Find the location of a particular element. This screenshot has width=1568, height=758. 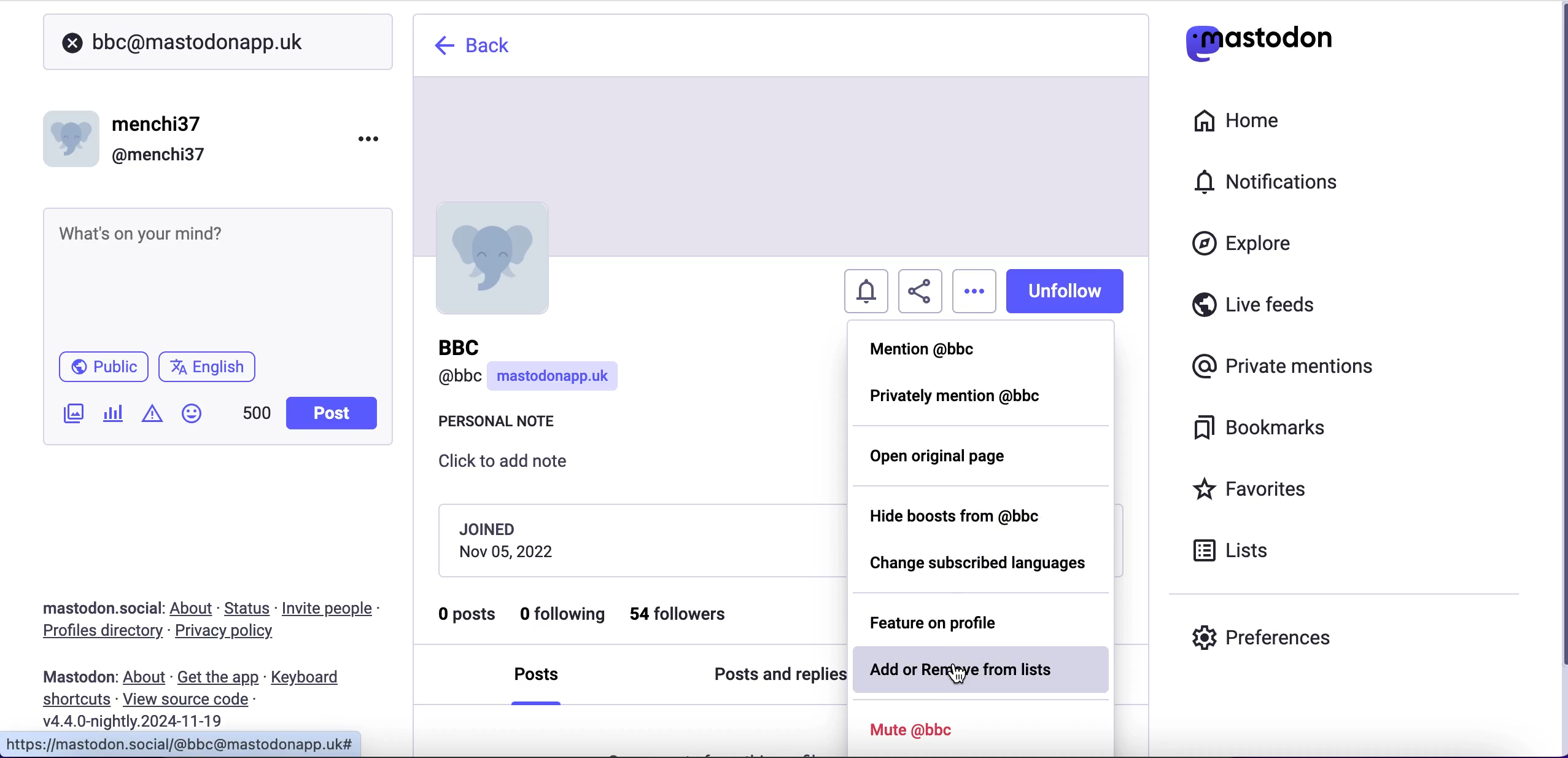

view source code is located at coordinates (190, 700).